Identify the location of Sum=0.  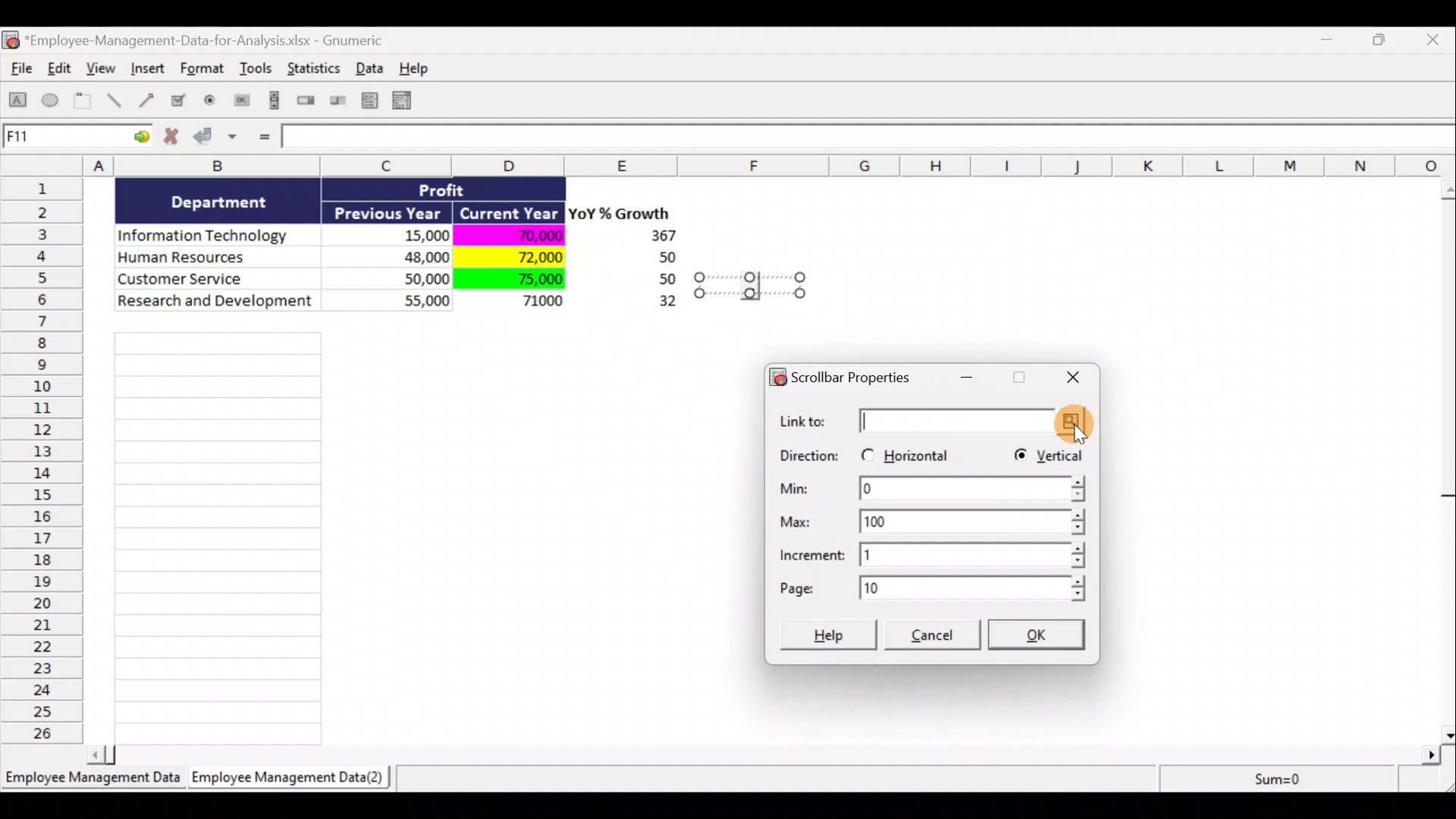
(1275, 779).